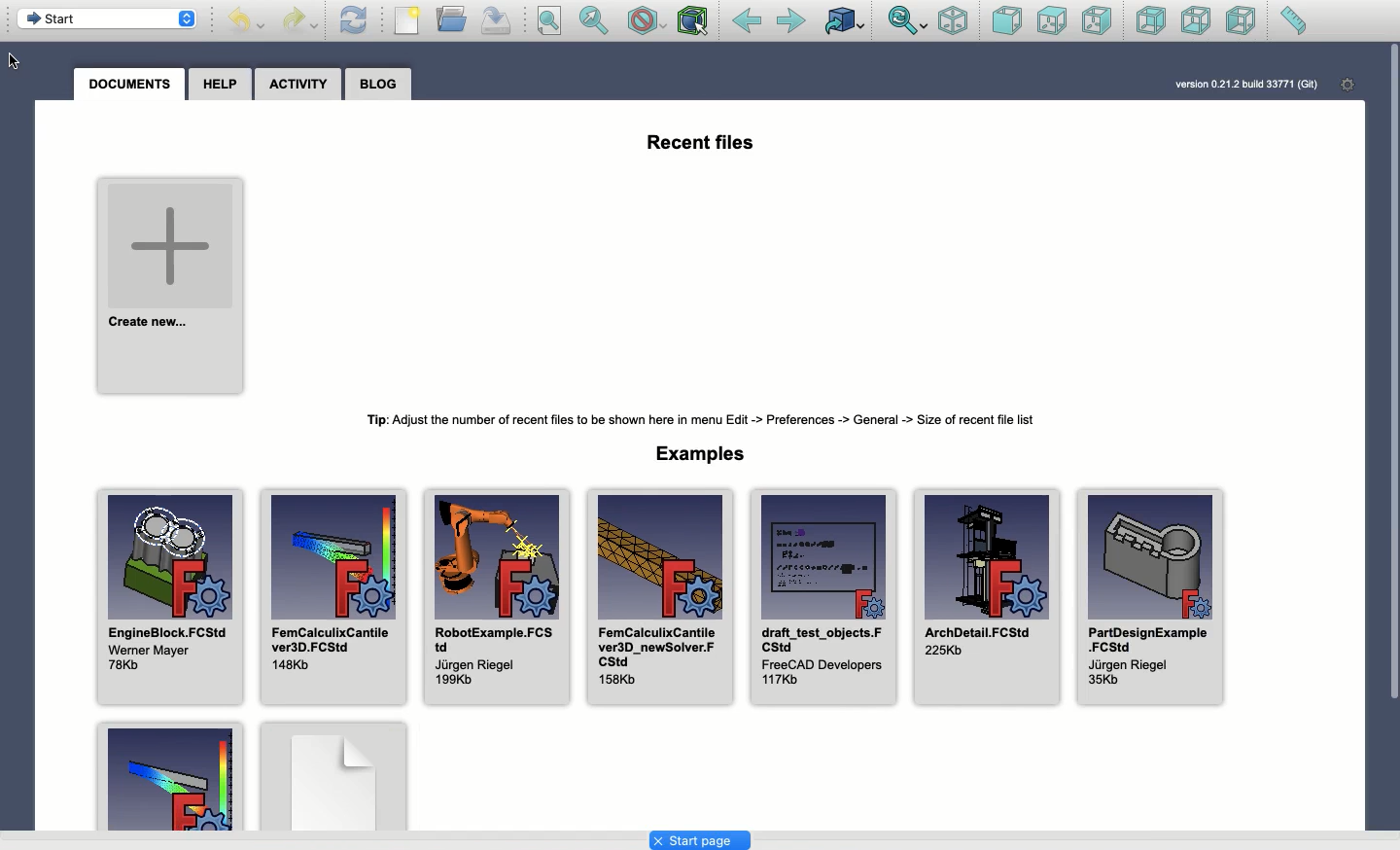  Describe the element at coordinates (1298, 20) in the screenshot. I see `Measure` at that location.